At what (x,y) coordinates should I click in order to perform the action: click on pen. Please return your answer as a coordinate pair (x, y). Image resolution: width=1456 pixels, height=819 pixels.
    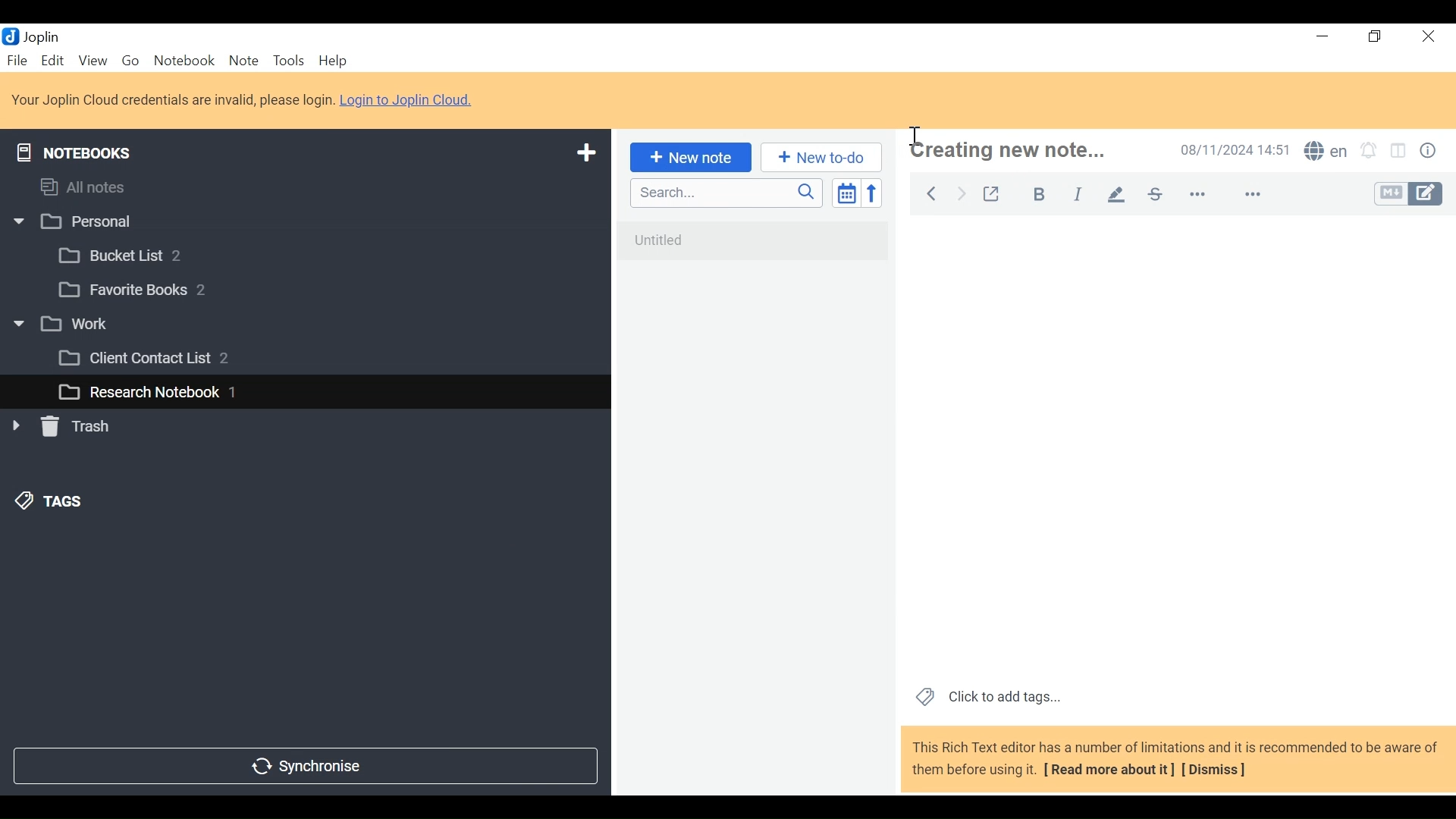
    Looking at the image, I should click on (1116, 193).